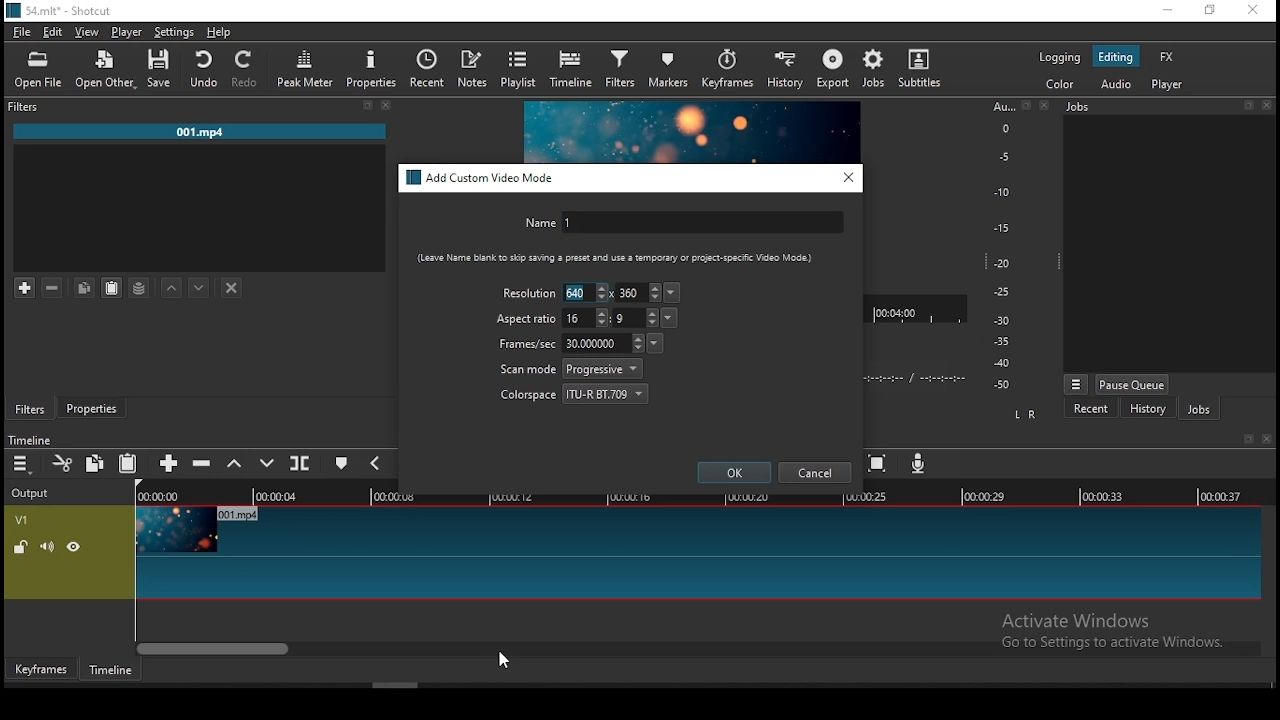 This screenshot has width=1280, height=720. I want to click on pause queue, so click(1132, 384).